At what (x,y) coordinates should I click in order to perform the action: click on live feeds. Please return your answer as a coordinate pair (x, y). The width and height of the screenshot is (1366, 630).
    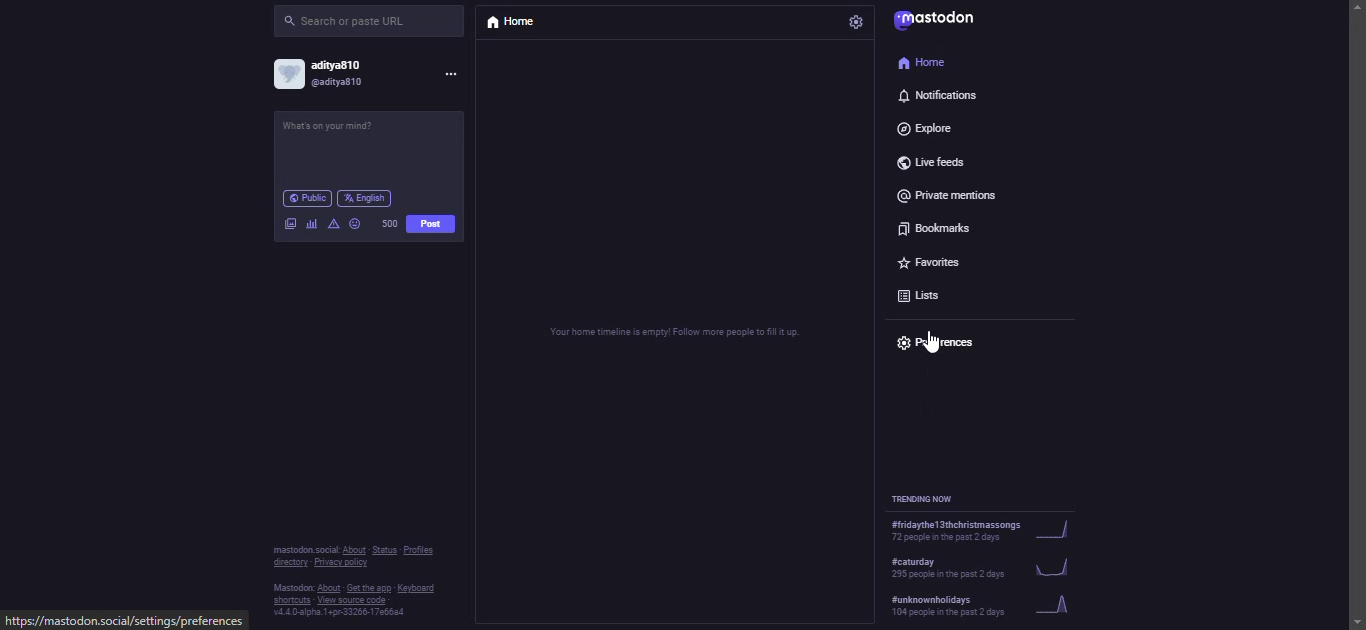
    Looking at the image, I should click on (933, 162).